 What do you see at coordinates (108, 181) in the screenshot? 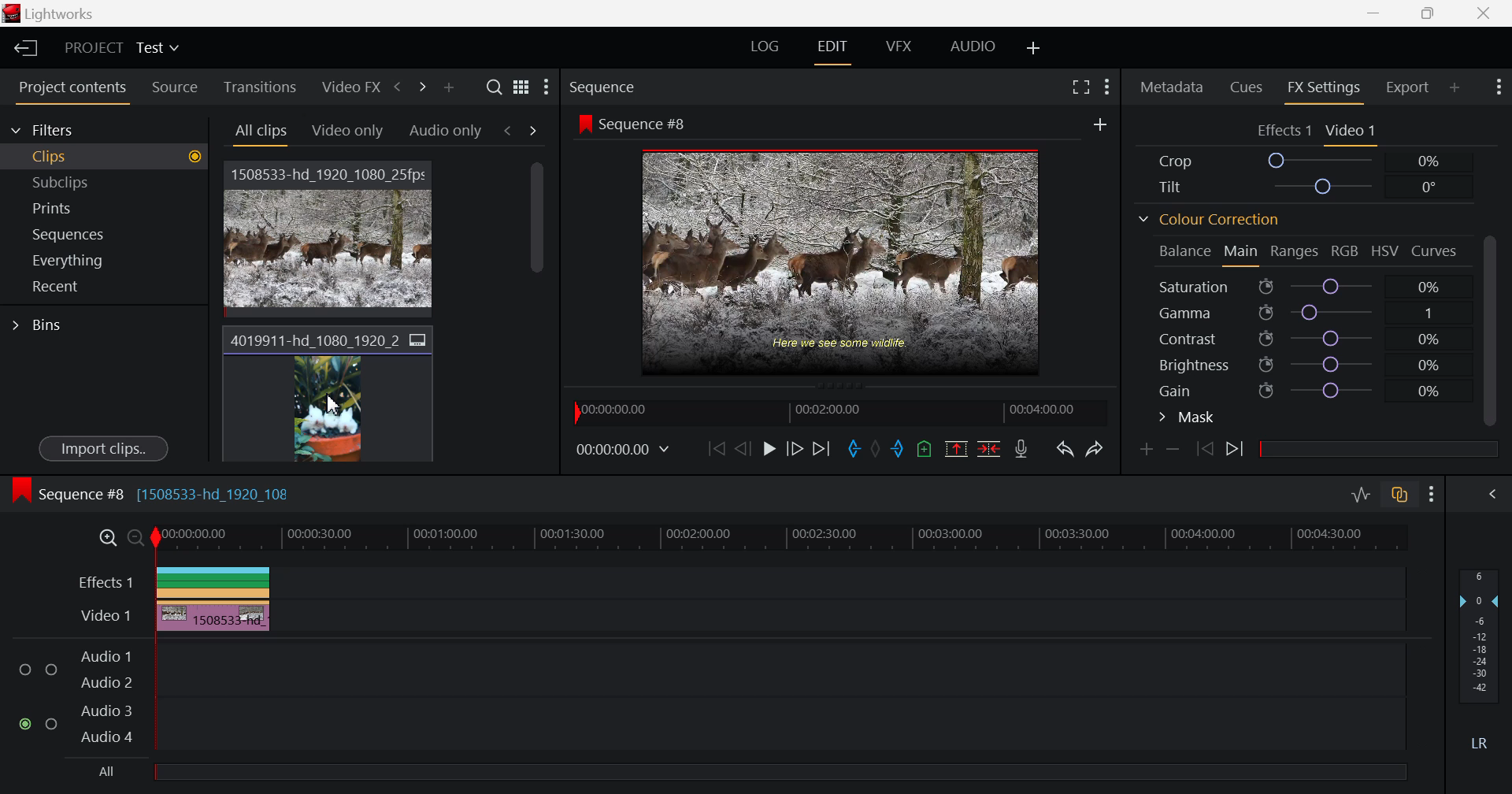
I see `Subclips` at bounding box center [108, 181].